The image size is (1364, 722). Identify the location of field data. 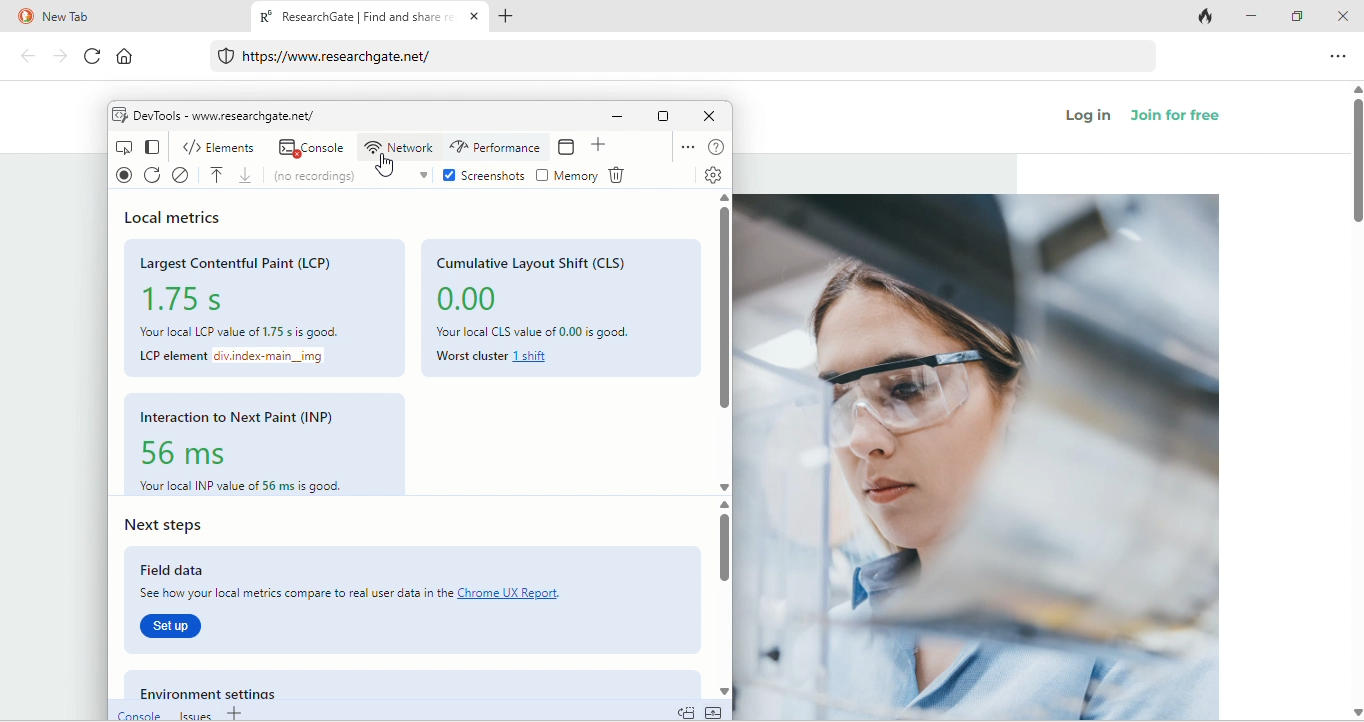
(204, 572).